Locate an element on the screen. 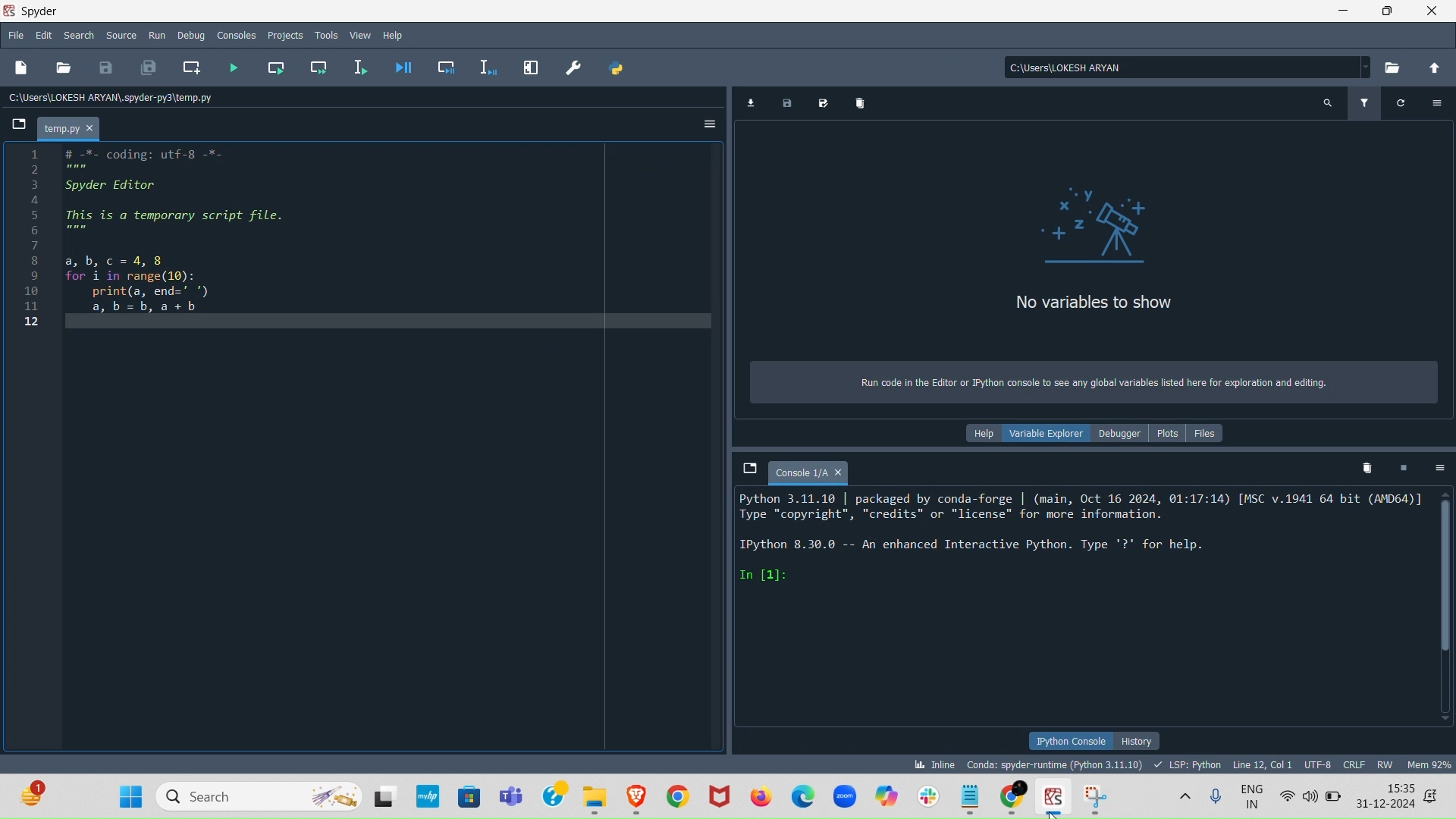  Save data as is located at coordinates (820, 102).